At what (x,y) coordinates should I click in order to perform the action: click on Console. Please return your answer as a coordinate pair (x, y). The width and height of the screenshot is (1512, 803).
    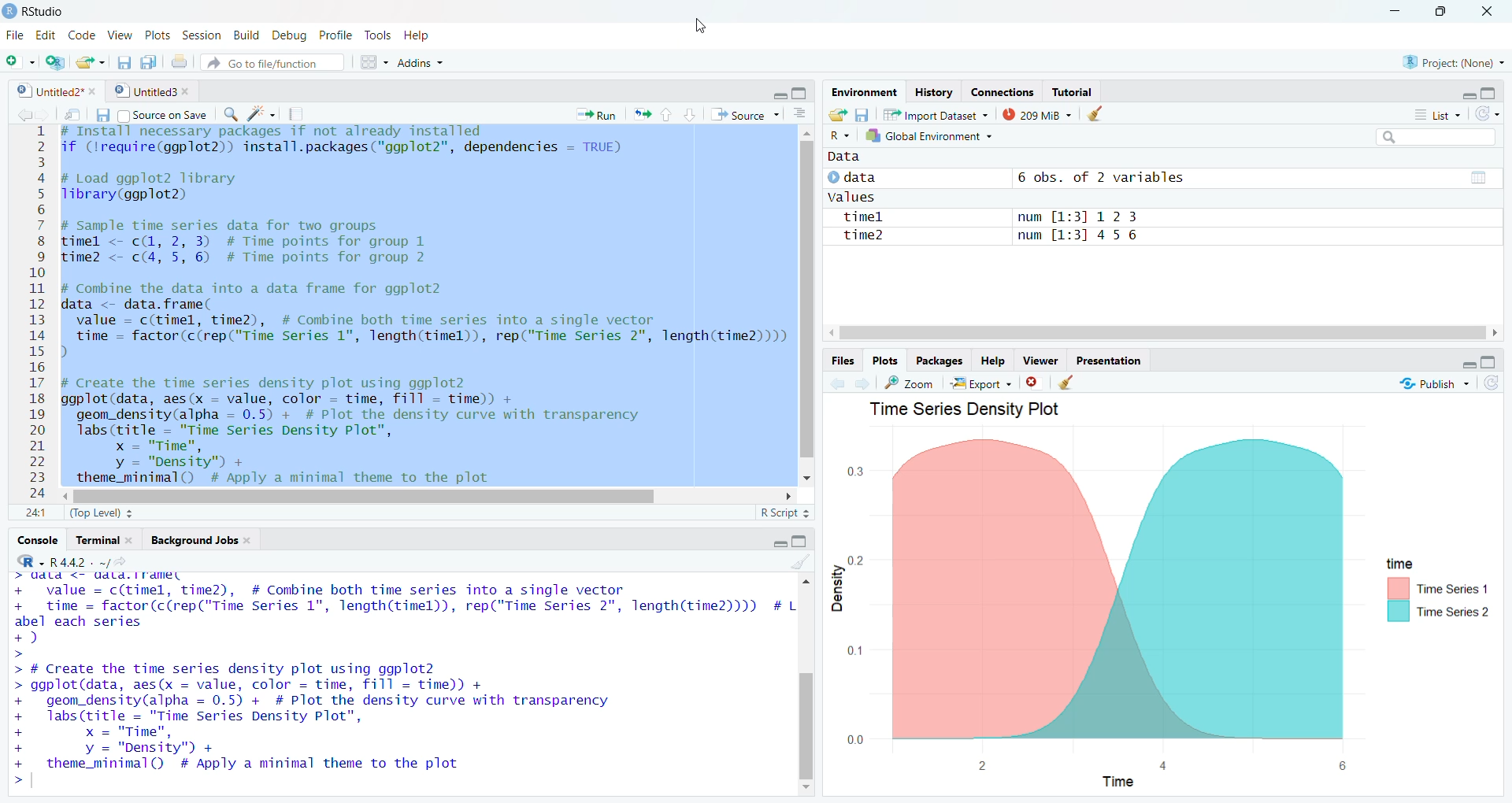
    Looking at the image, I should click on (36, 542).